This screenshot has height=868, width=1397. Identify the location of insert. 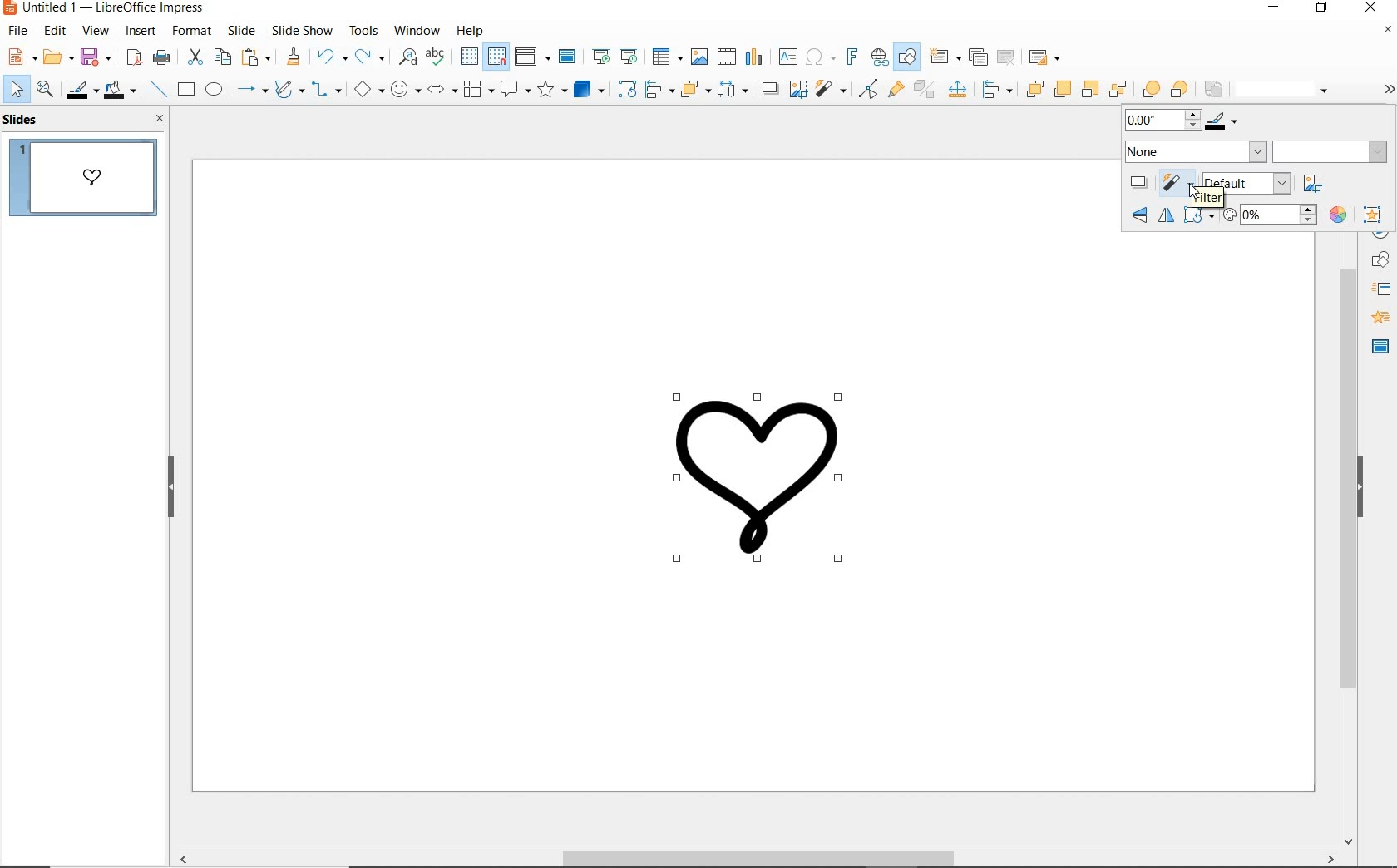
(141, 33).